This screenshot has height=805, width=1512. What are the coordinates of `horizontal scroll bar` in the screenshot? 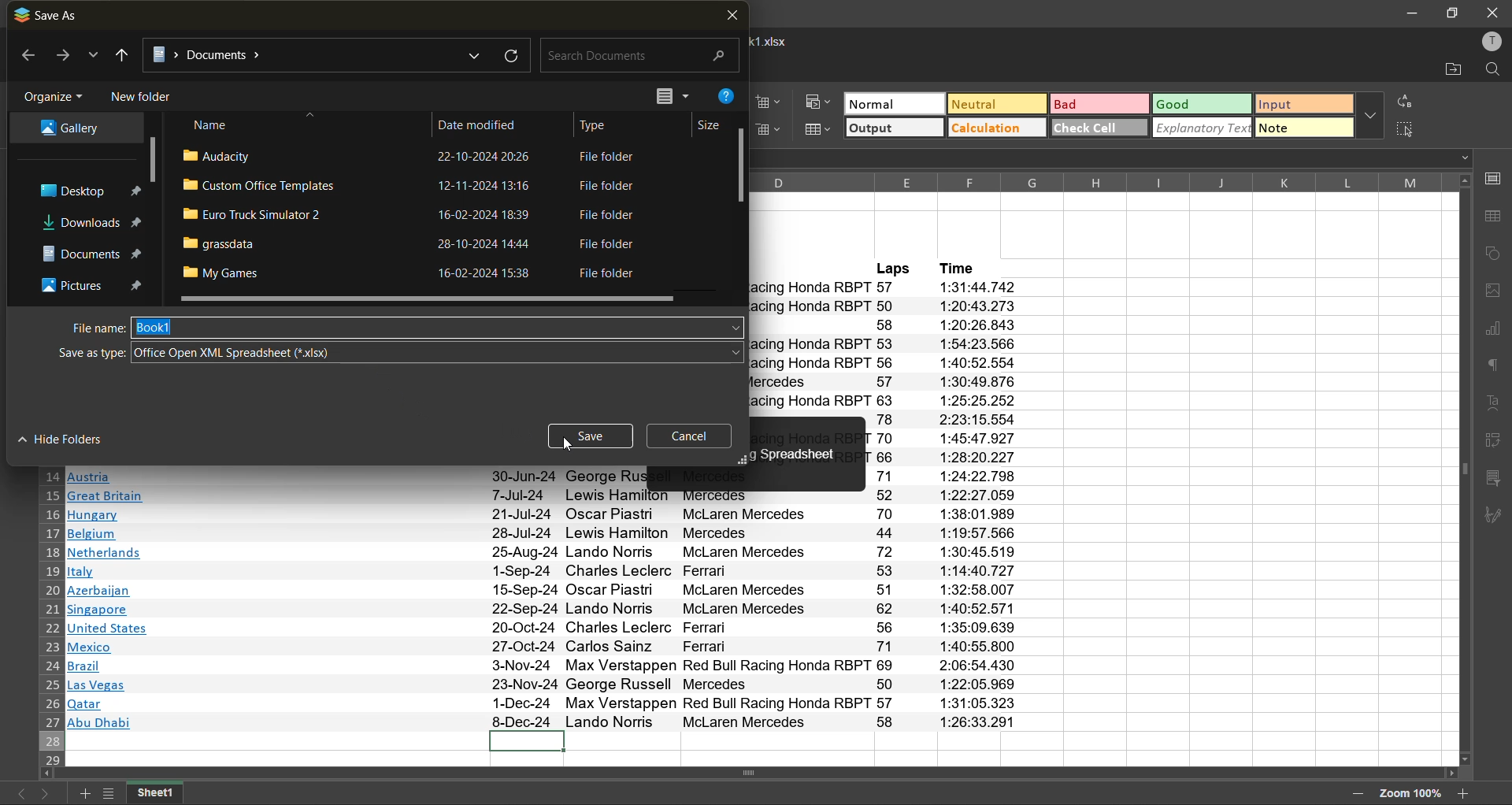 It's located at (425, 298).